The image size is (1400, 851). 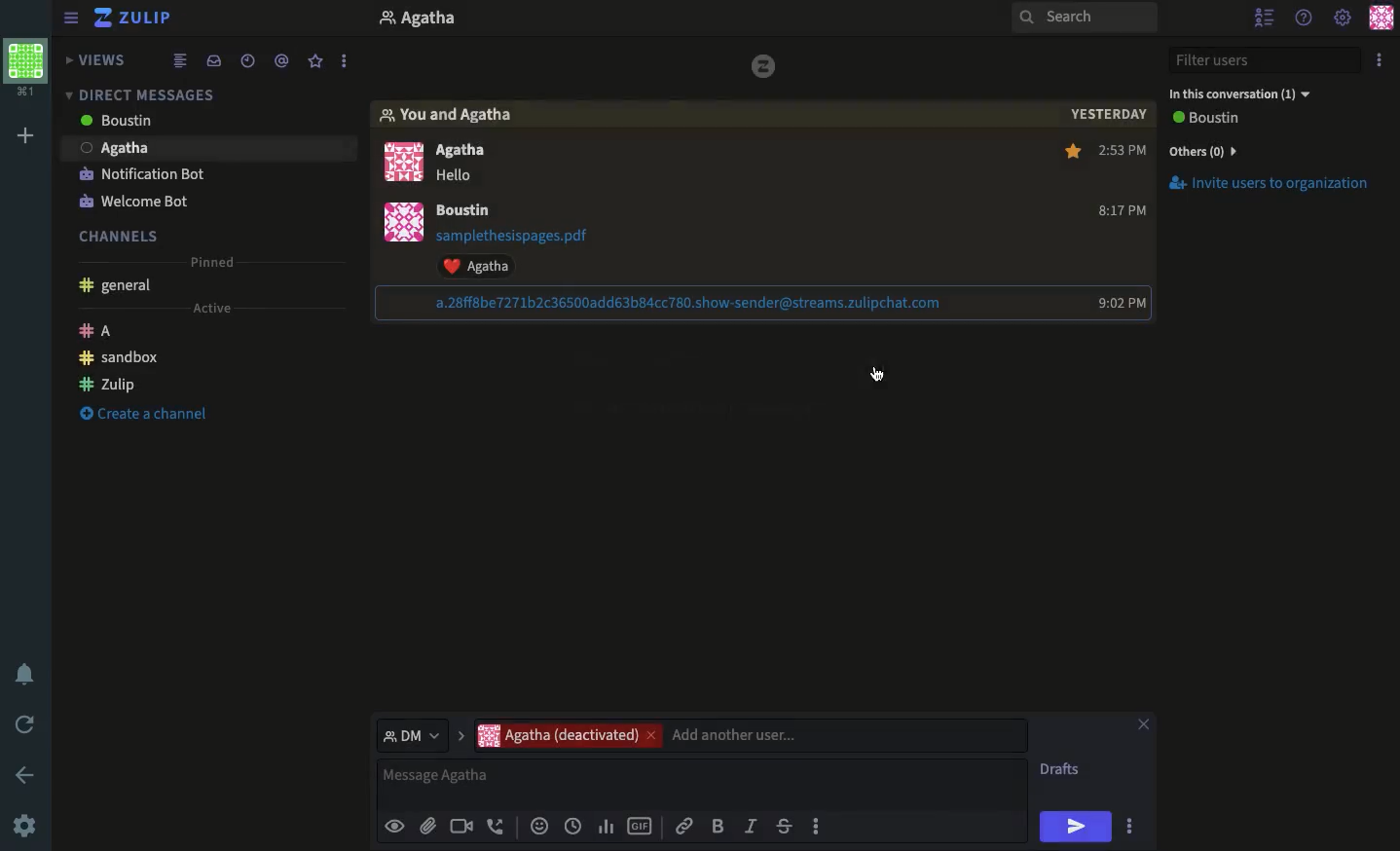 What do you see at coordinates (464, 177) in the screenshot?
I see `message` at bounding box center [464, 177].